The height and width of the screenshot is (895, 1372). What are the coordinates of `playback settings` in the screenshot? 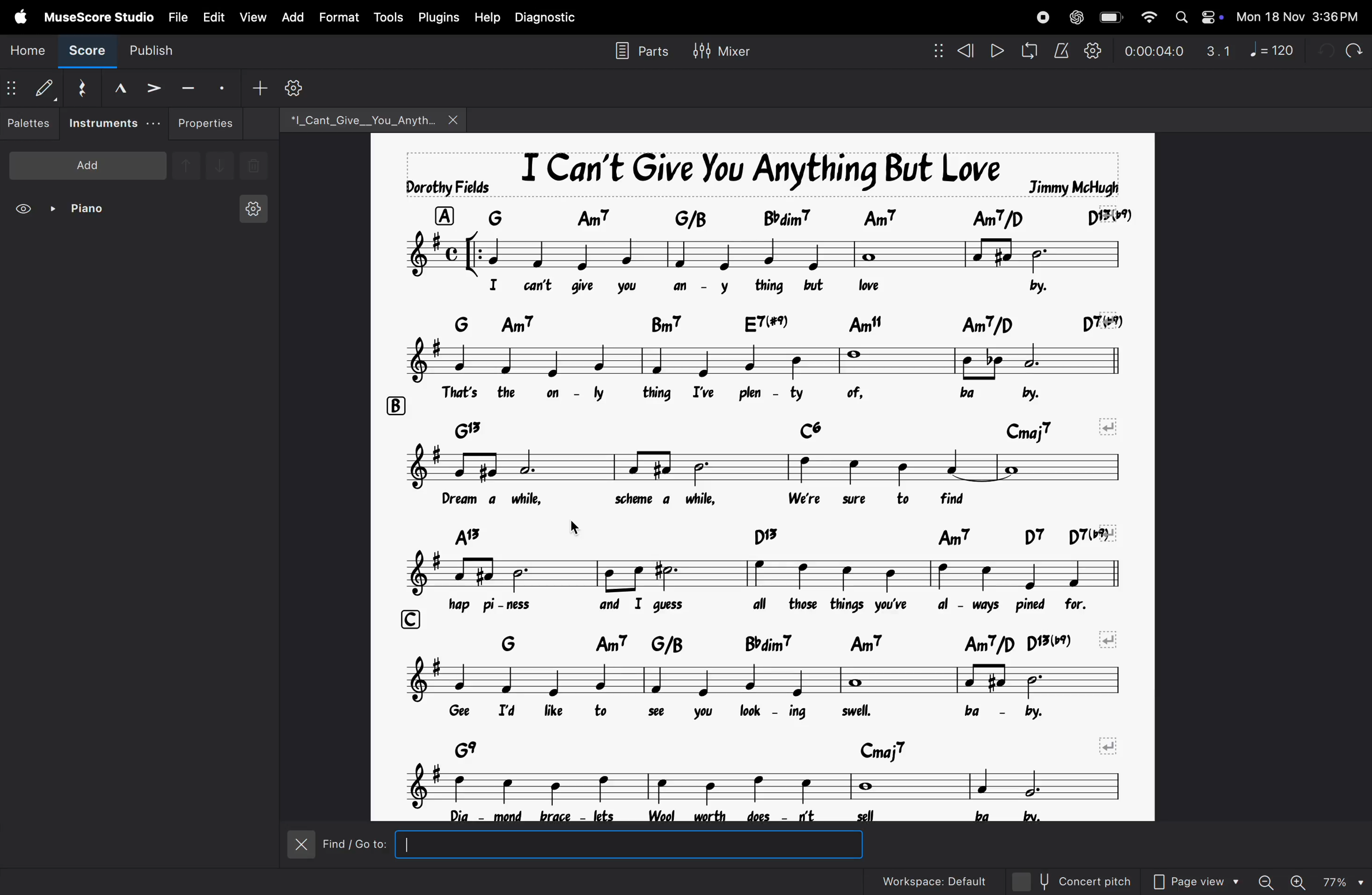 It's located at (1091, 51).